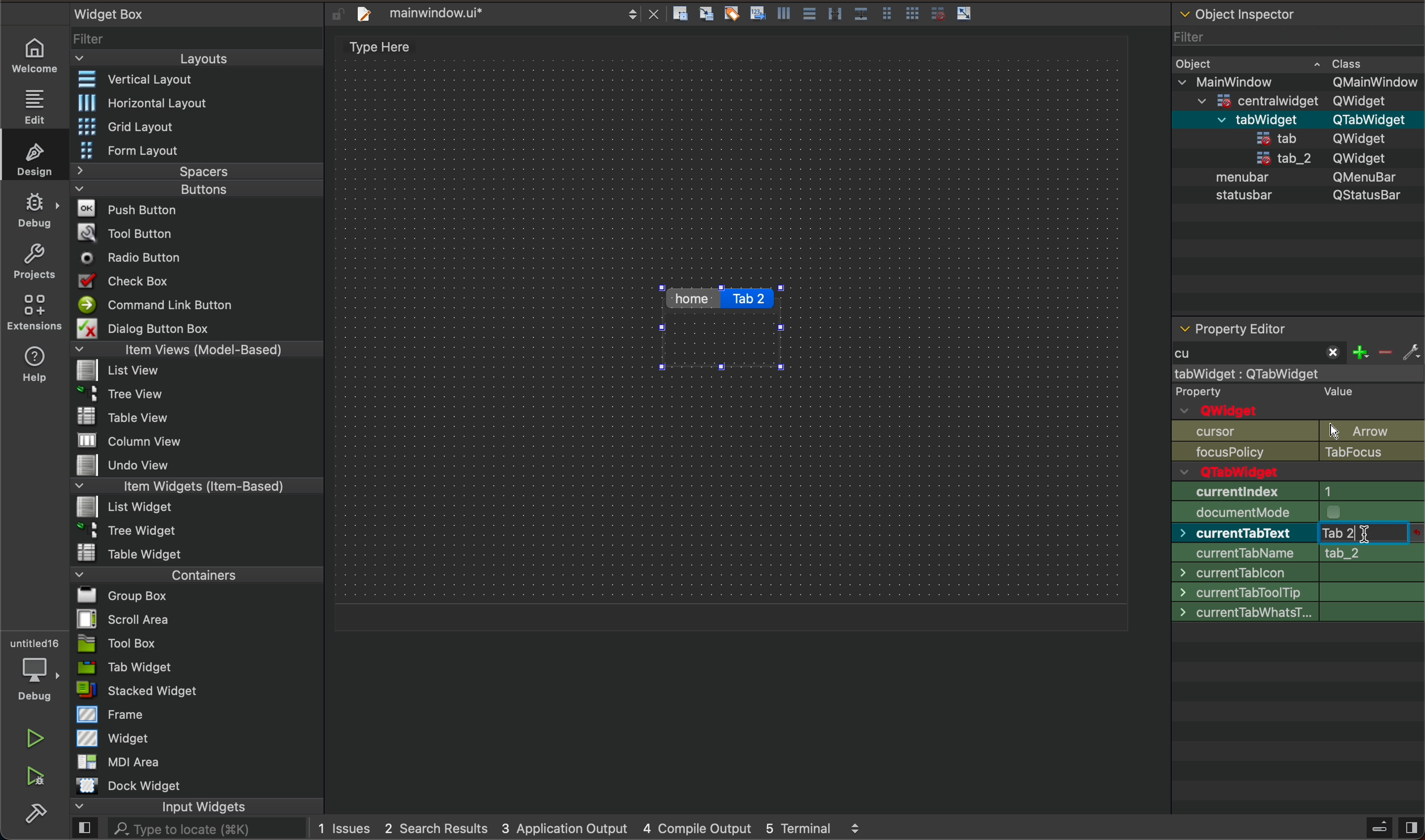 This screenshot has height=840, width=1425. Describe the element at coordinates (127, 618) in the screenshot. I see `Scroll Area` at that location.